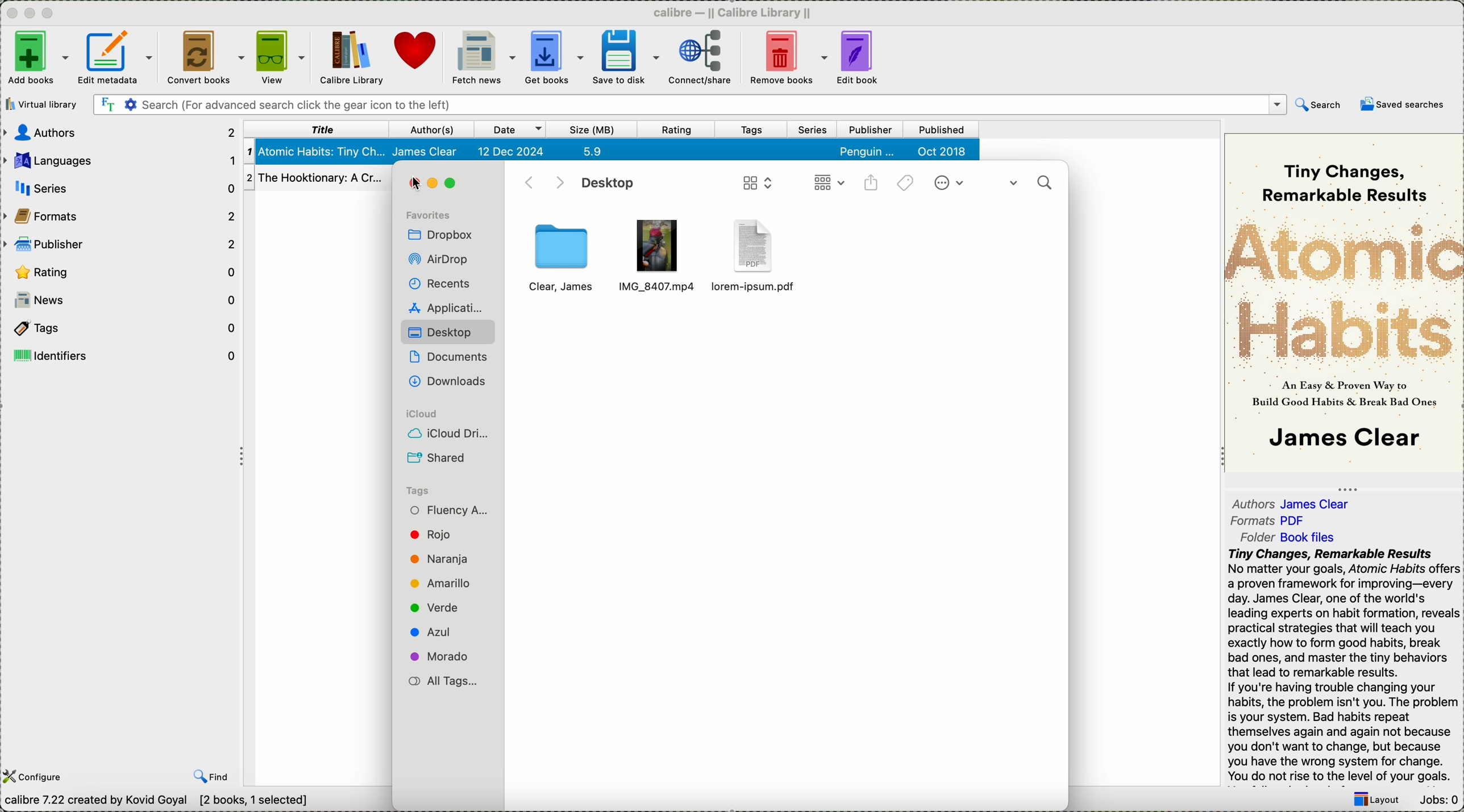 The width and height of the screenshot is (1464, 812). I want to click on layout, so click(1376, 801).